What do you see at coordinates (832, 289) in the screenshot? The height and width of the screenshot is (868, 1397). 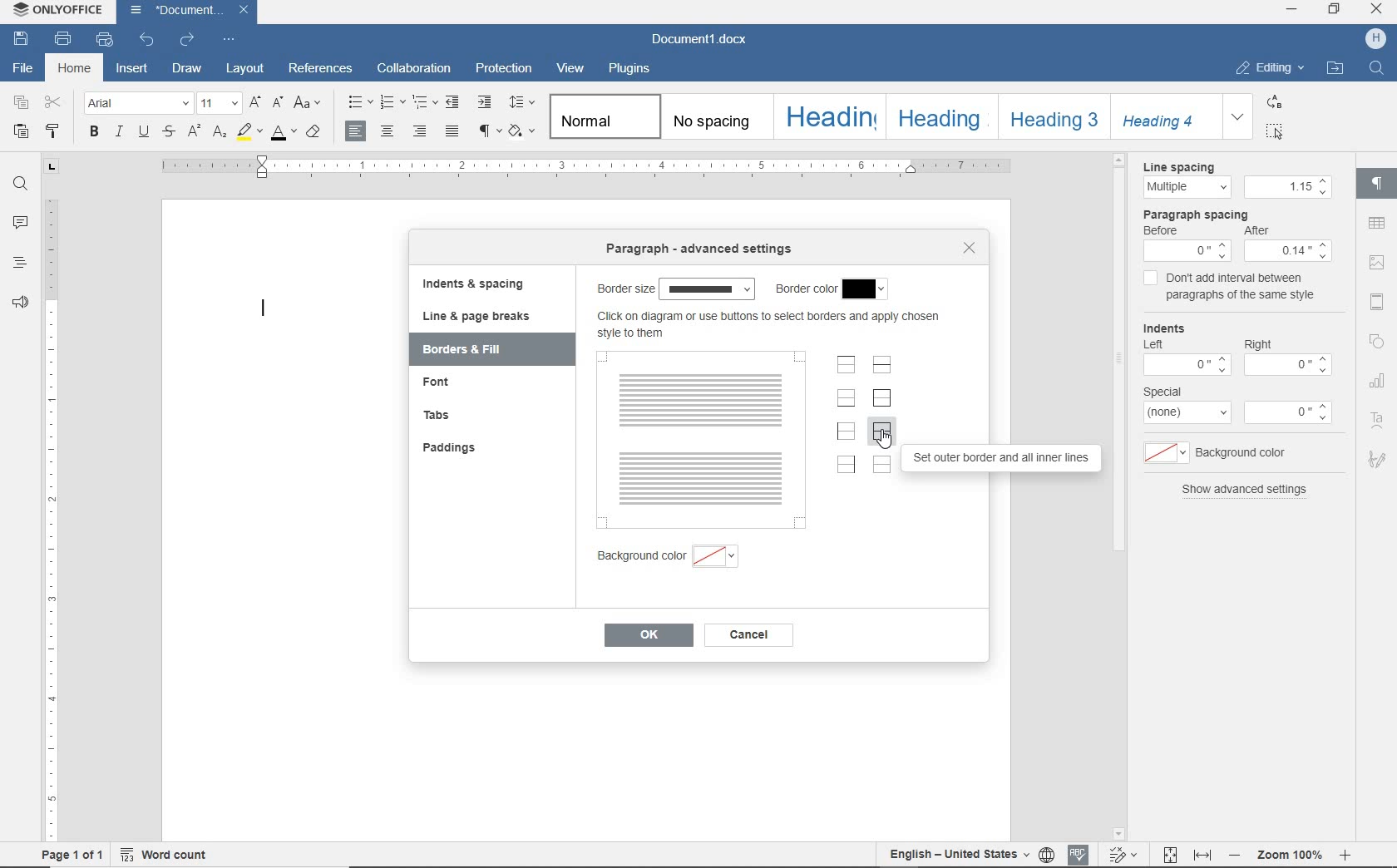 I see `border color` at bounding box center [832, 289].